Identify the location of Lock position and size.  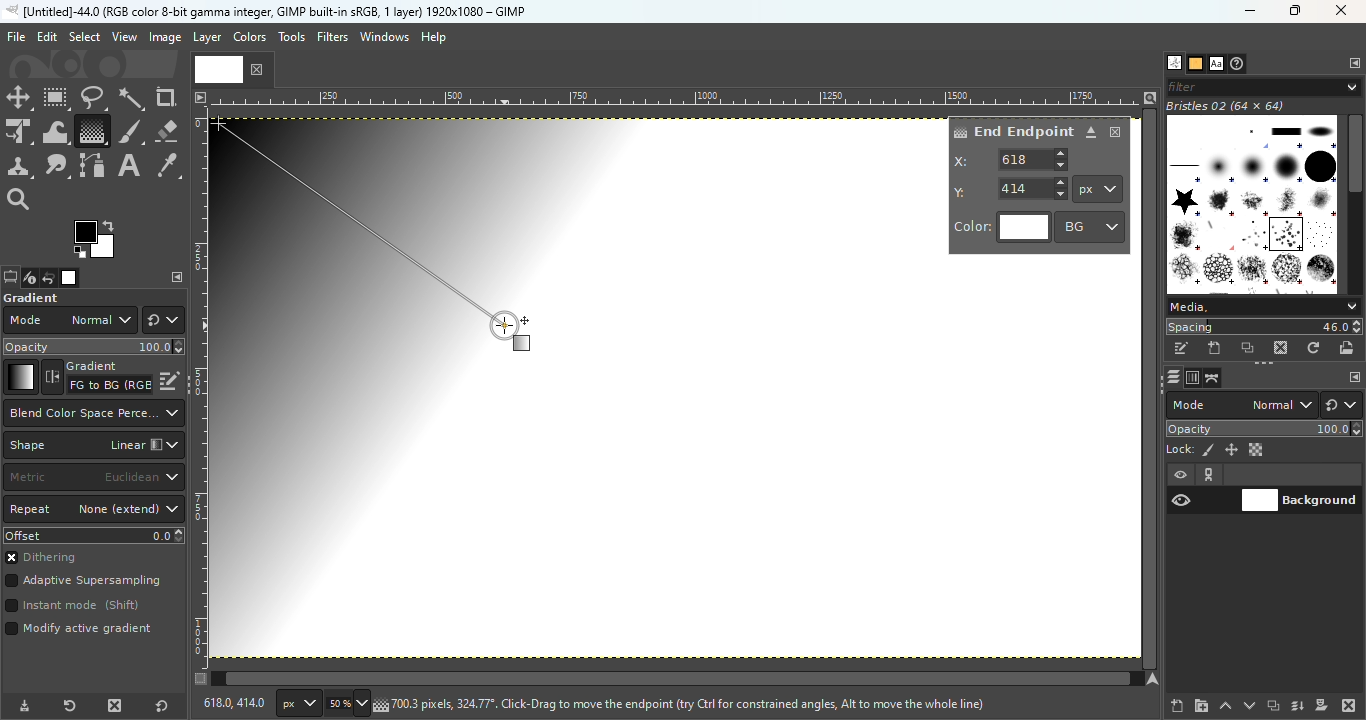
(1230, 449).